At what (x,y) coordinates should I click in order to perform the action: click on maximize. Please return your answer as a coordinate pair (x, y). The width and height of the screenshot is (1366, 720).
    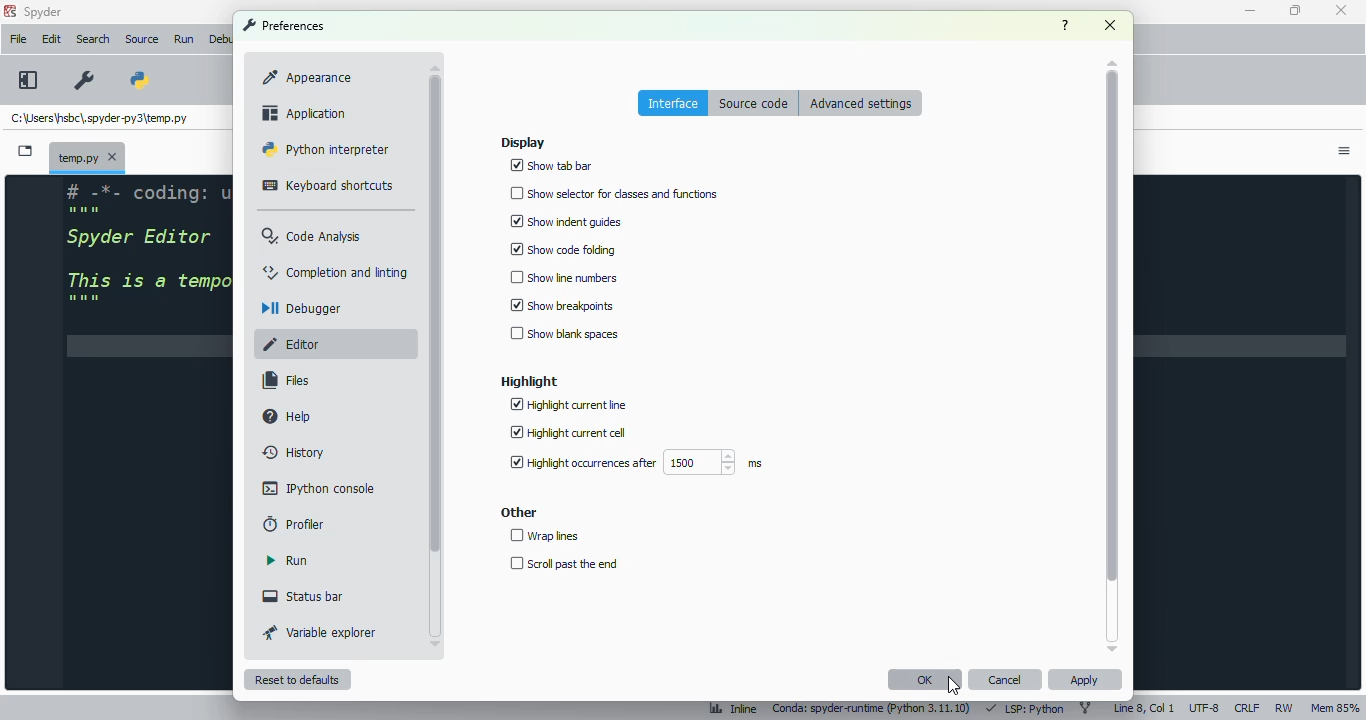
    Looking at the image, I should click on (1297, 10).